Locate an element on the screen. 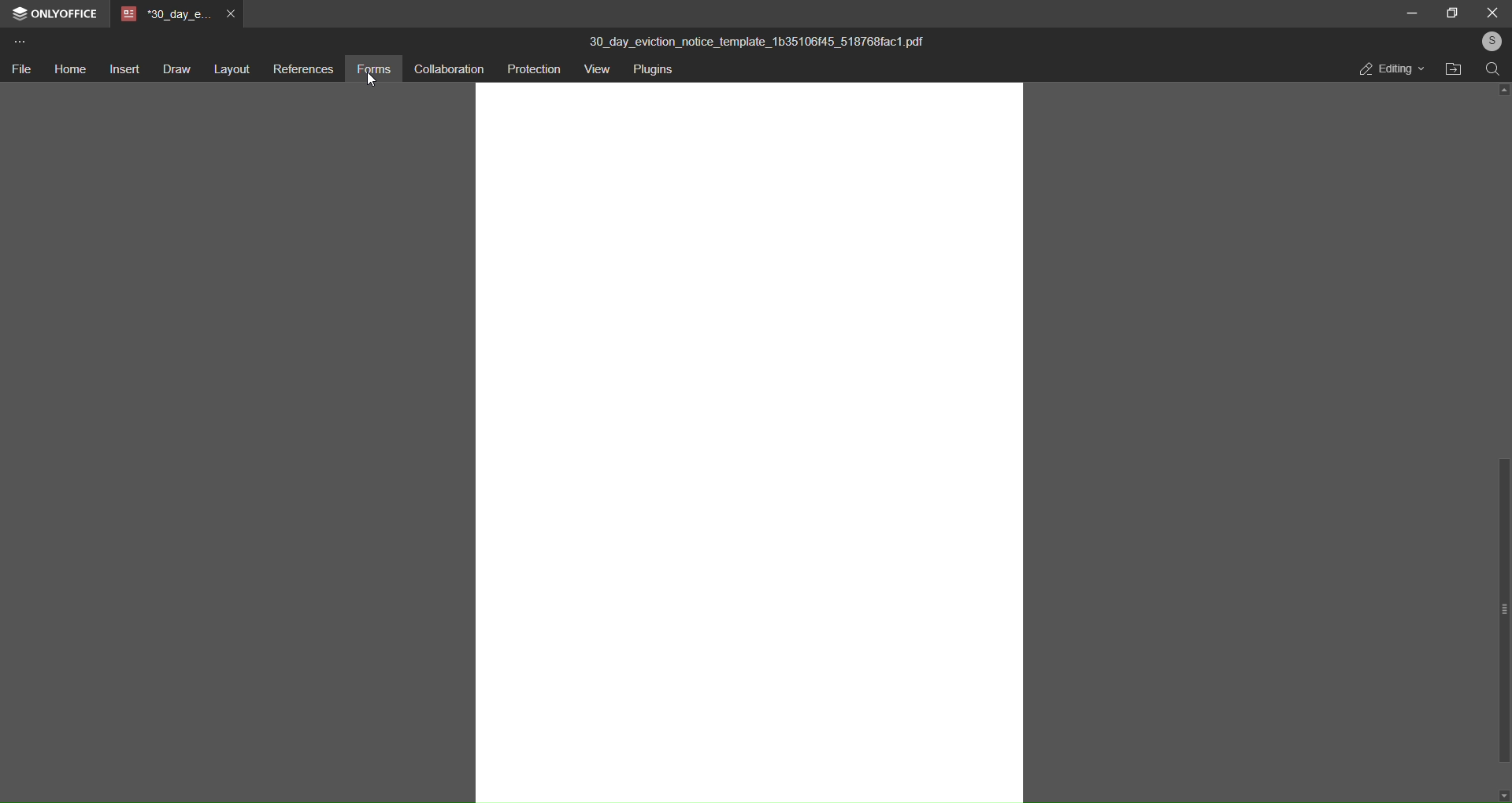 This screenshot has width=1512, height=803. logo is located at coordinates (18, 13).